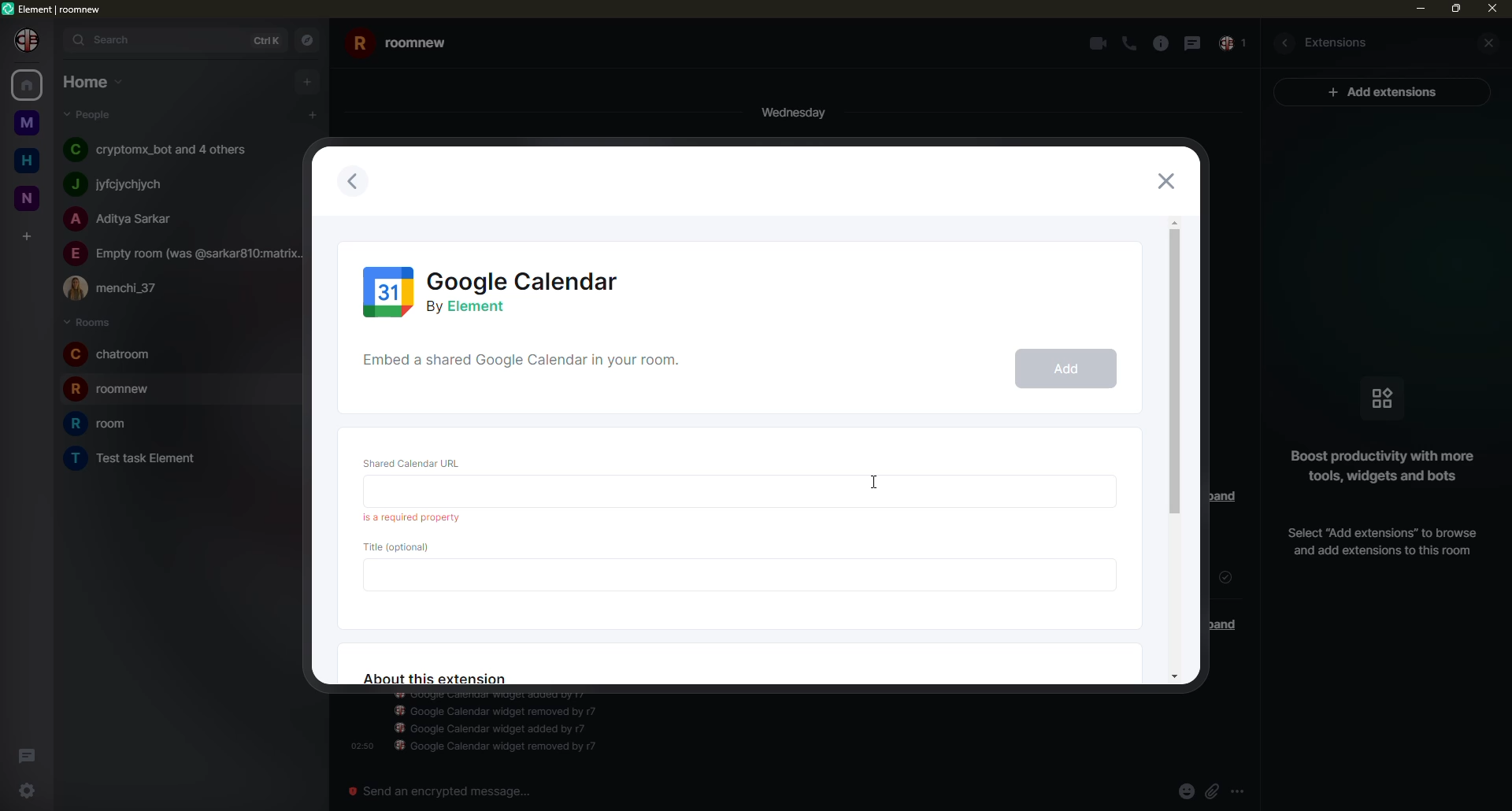 This screenshot has height=811, width=1512. What do you see at coordinates (310, 113) in the screenshot?
I see `add` at bounding box center [310, 113].